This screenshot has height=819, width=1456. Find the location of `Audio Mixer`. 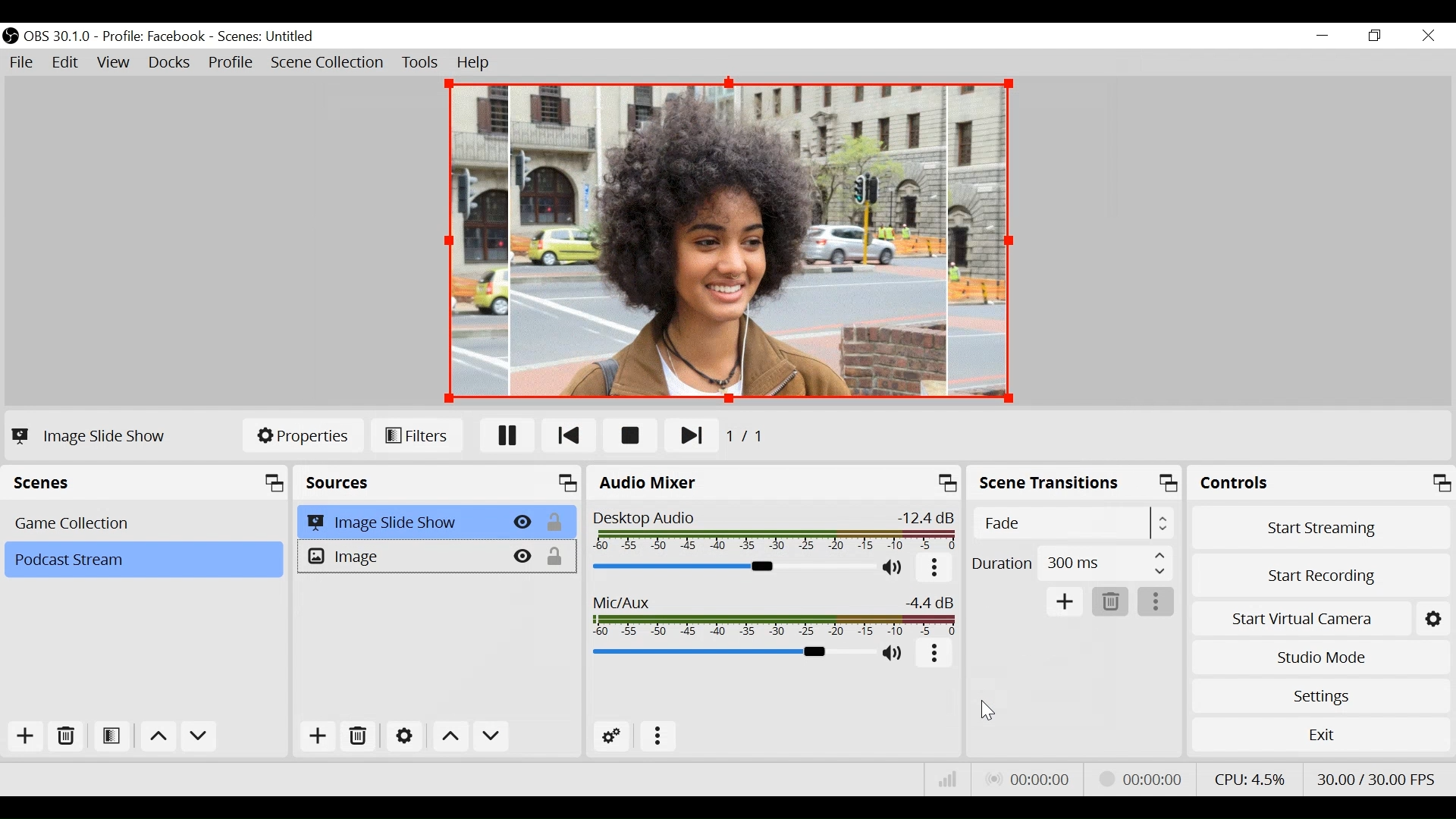

Audio Mixer is located at coordinates (776, 485).